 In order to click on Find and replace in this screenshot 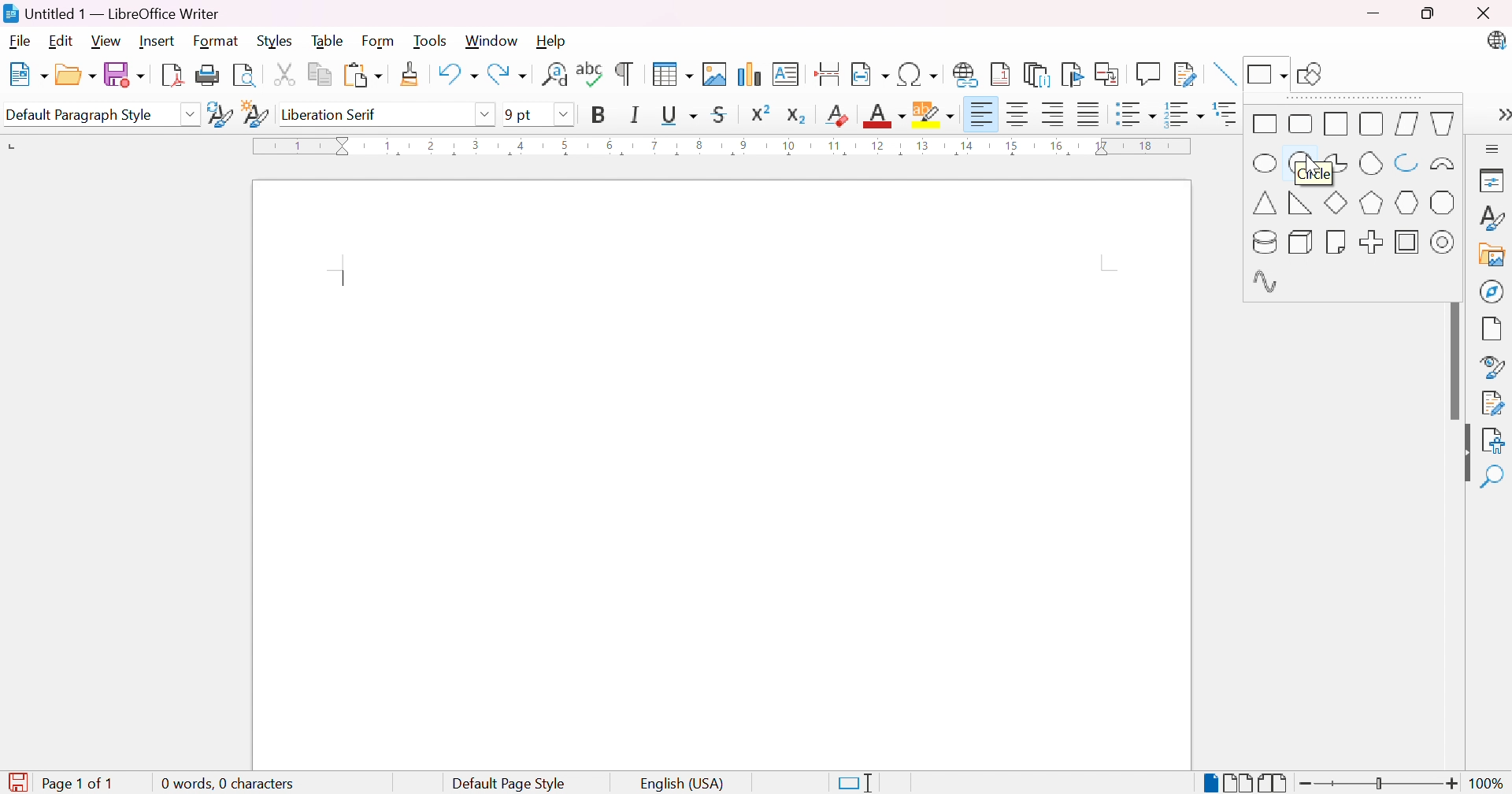, I will do `click(553, 74)`.